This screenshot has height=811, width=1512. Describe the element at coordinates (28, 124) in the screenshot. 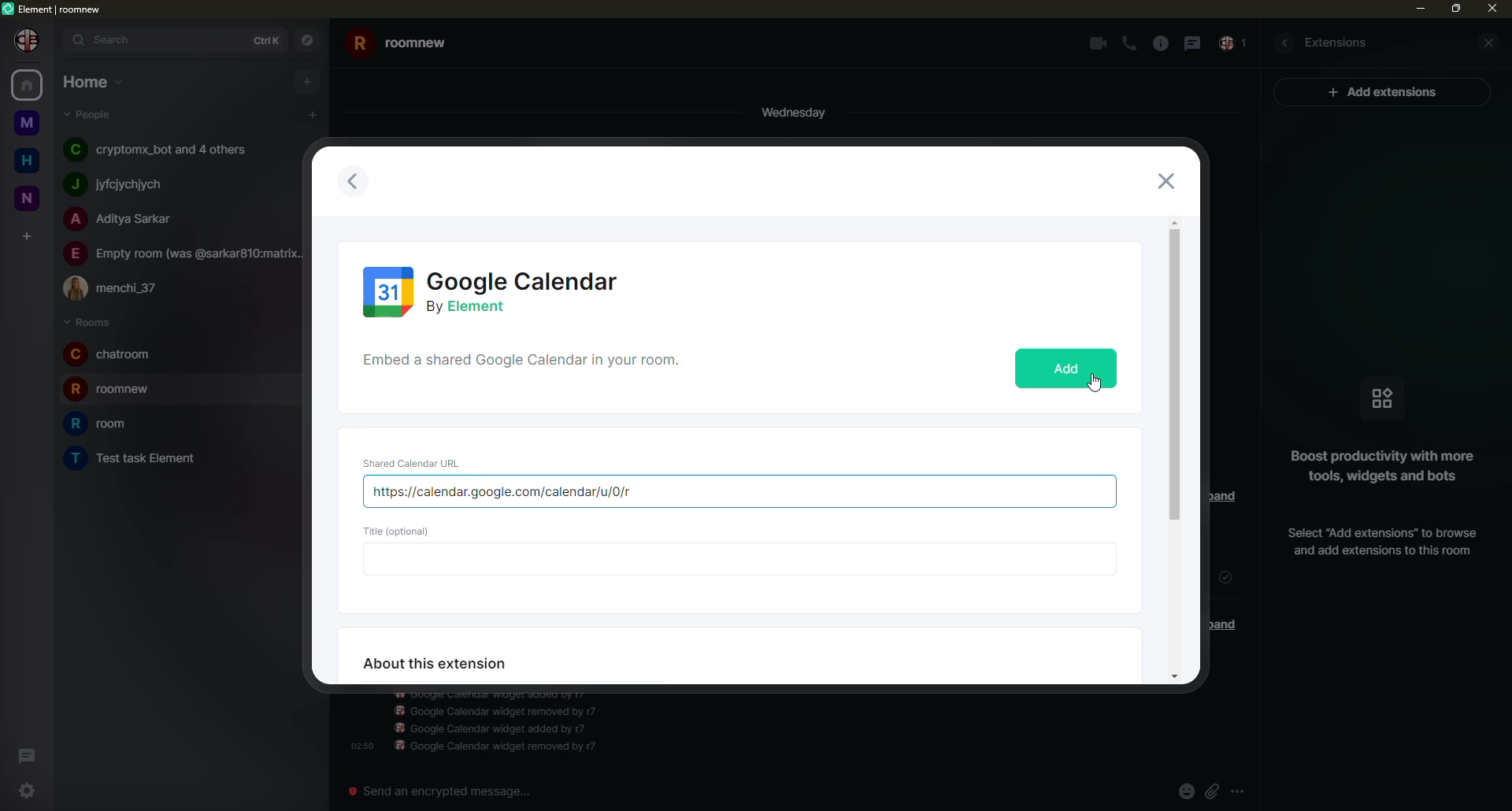

I see `room` at that location.